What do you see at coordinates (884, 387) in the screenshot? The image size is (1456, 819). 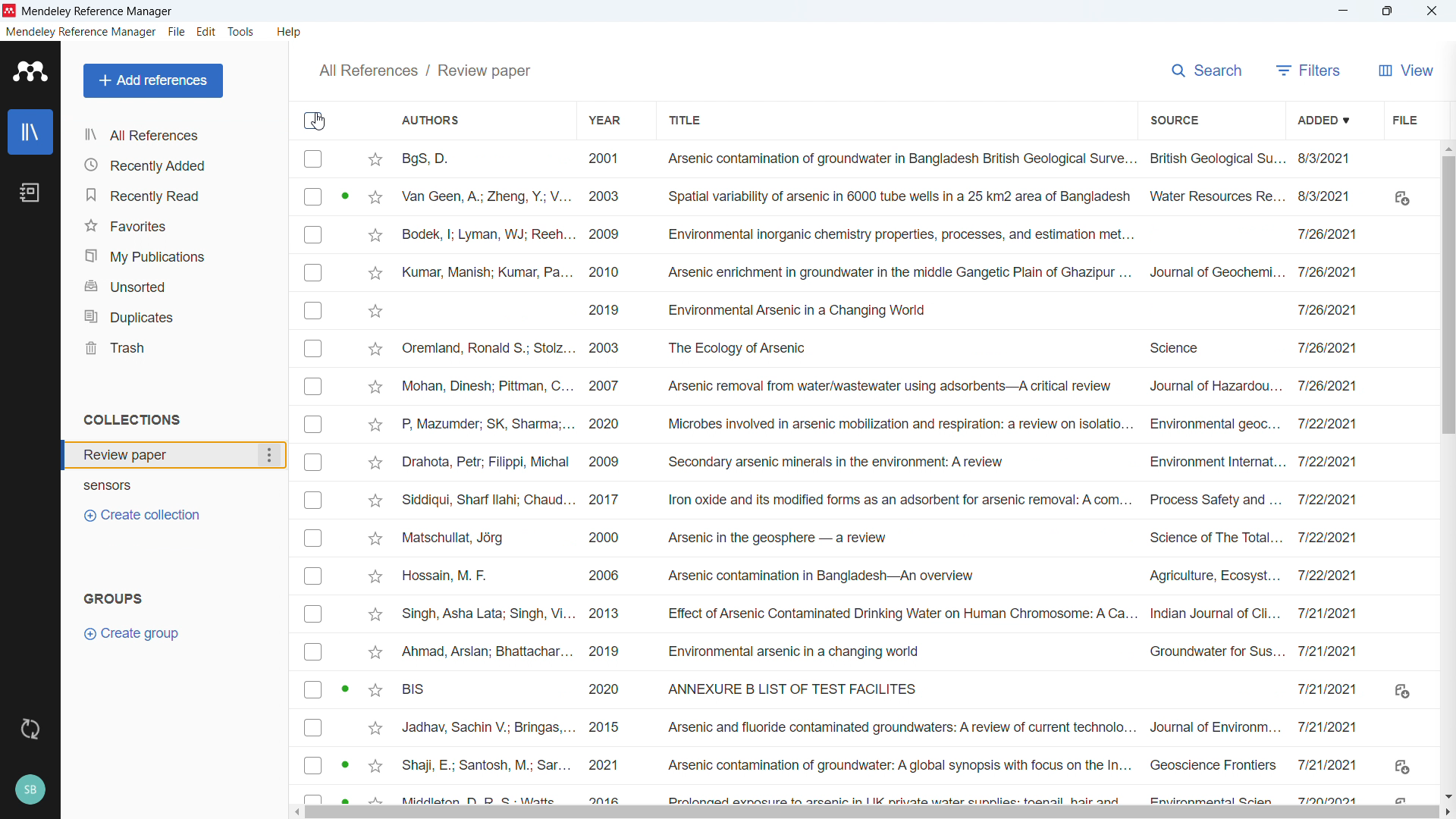 I see `Zhang, S; Chang, J; Lin, C;... Enhancement of methanogenesis via direct interspecies electron transfer bet... ElsevierS Zhang, J ... 10/28/2024` at bounding box center [884, 387].